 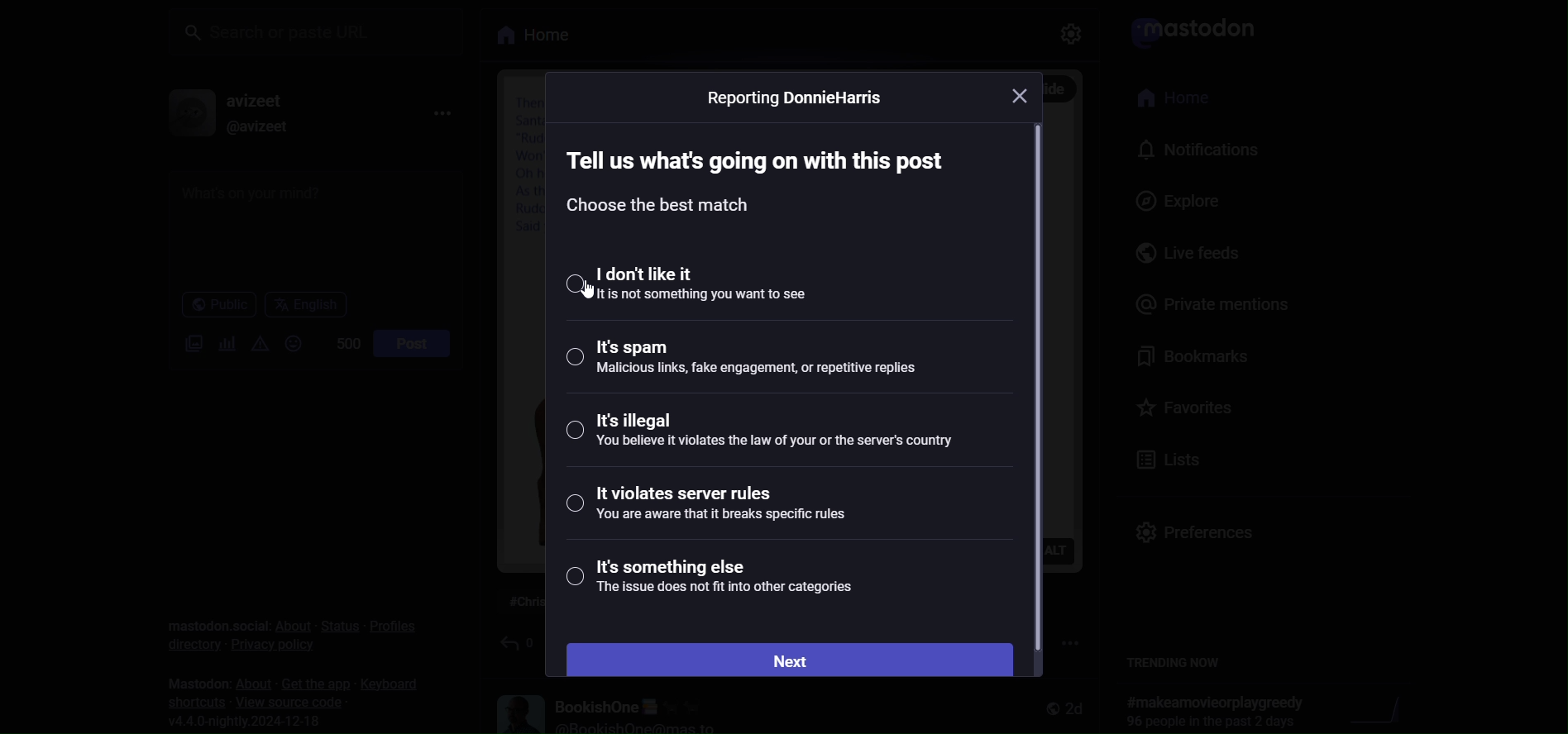 What do you see at coordinates (1188, 30) in the screenshot?
I see `mastodon` at bounding box center [1188, 30].